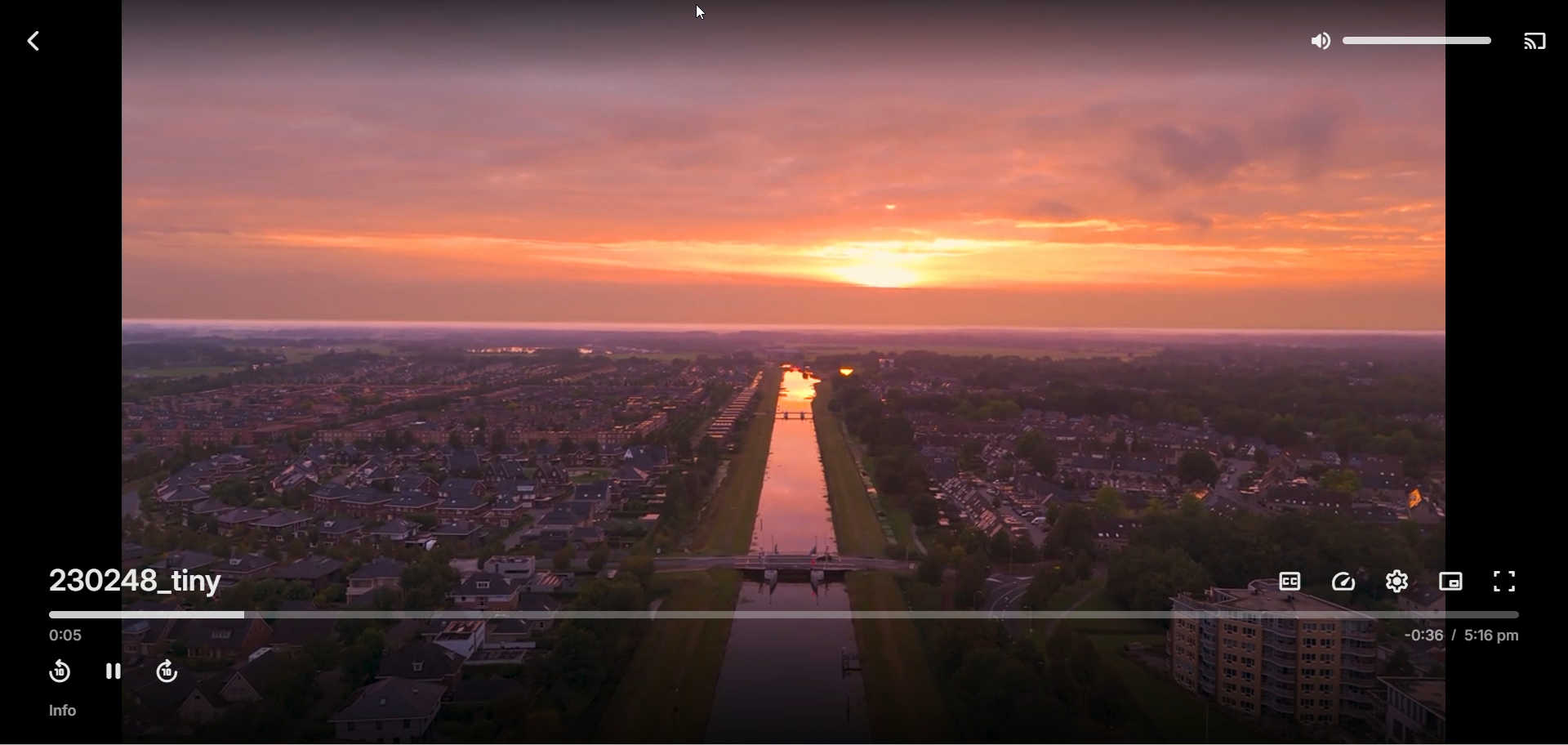 The image size is (1568, 745). I want to click on volume, so click(1400, 41).